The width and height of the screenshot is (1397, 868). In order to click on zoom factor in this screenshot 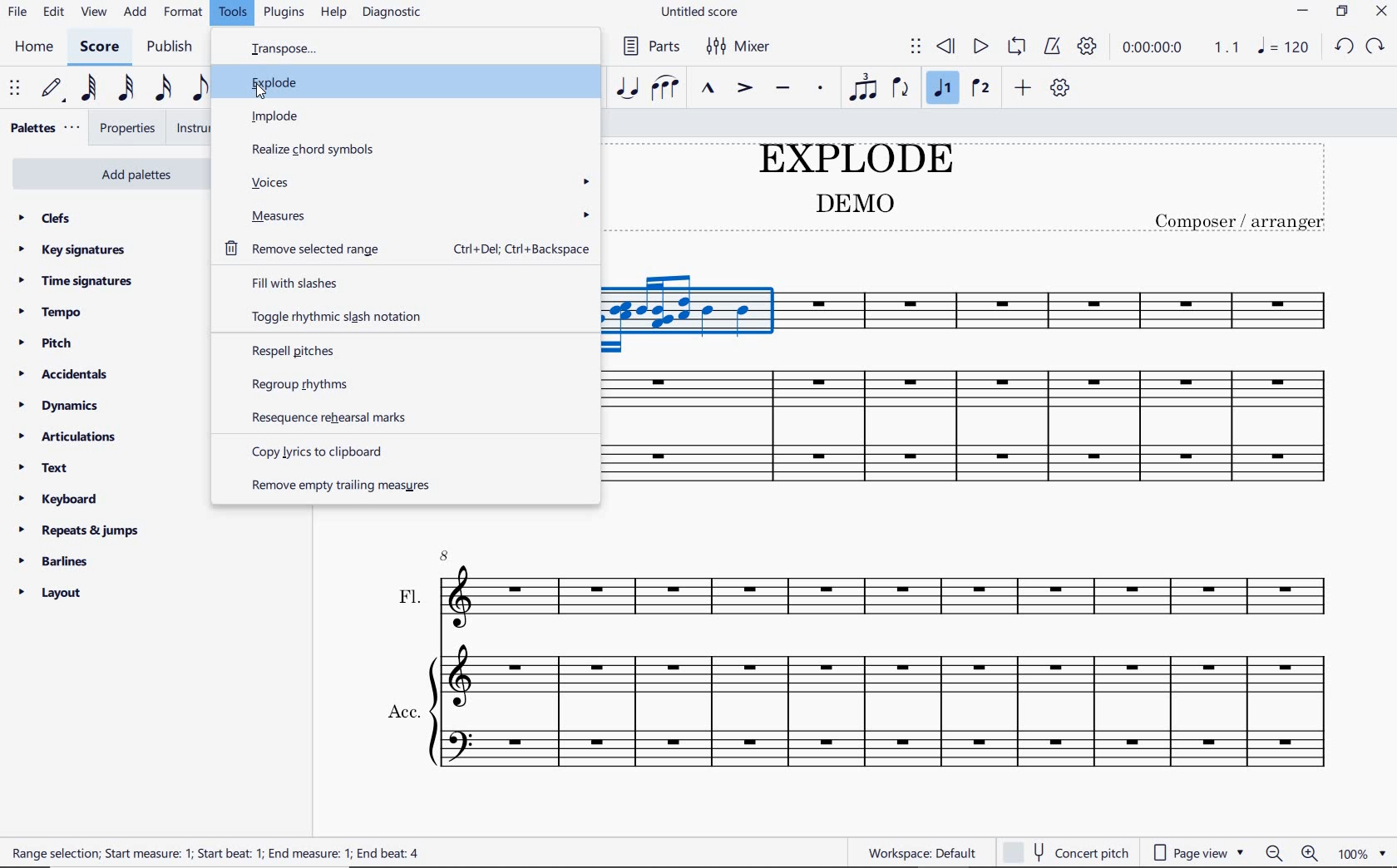, I will do `click(1365, 850)`.